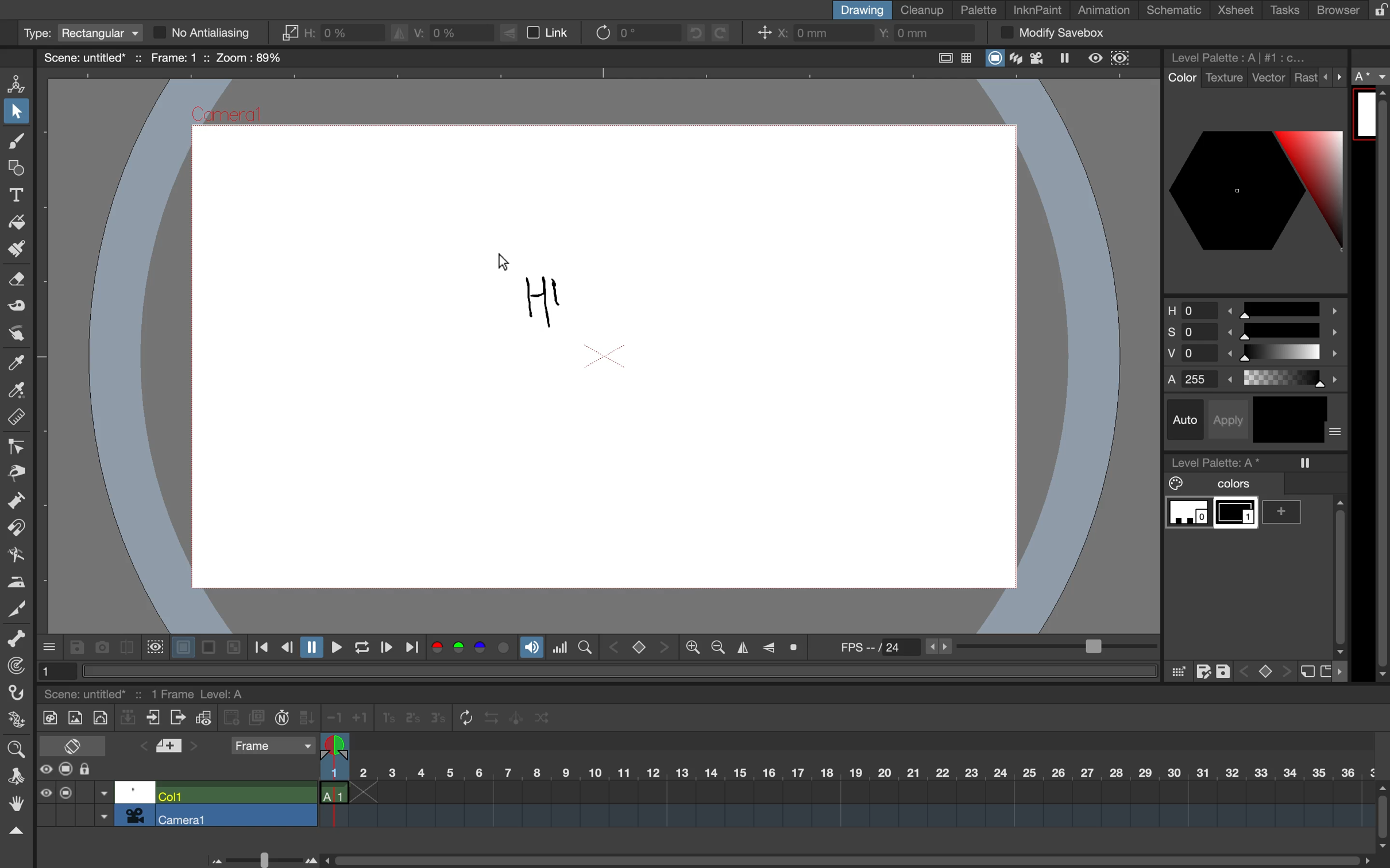 This screenshot has width=1390, height=868. Describe the element at coordinates (286, 648) in the screenshot. I see `previous frame` at that location.